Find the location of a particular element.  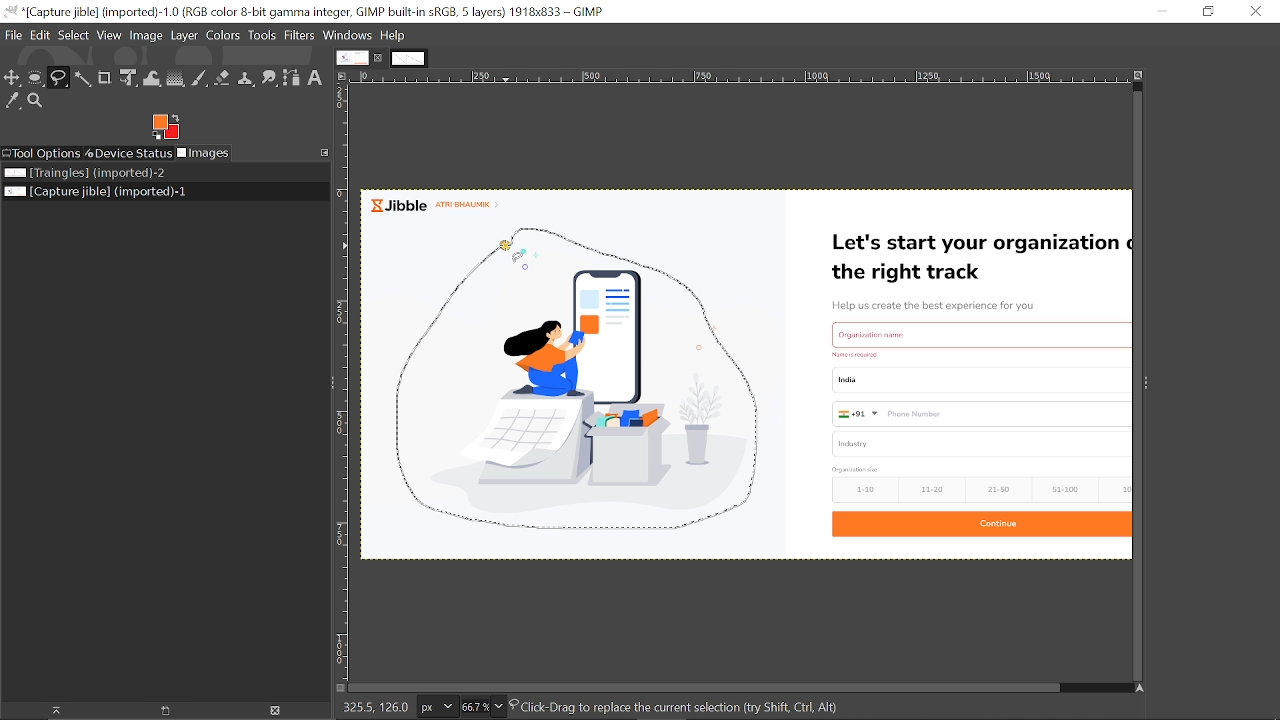

Current image file is located at coordinates (98, 192).